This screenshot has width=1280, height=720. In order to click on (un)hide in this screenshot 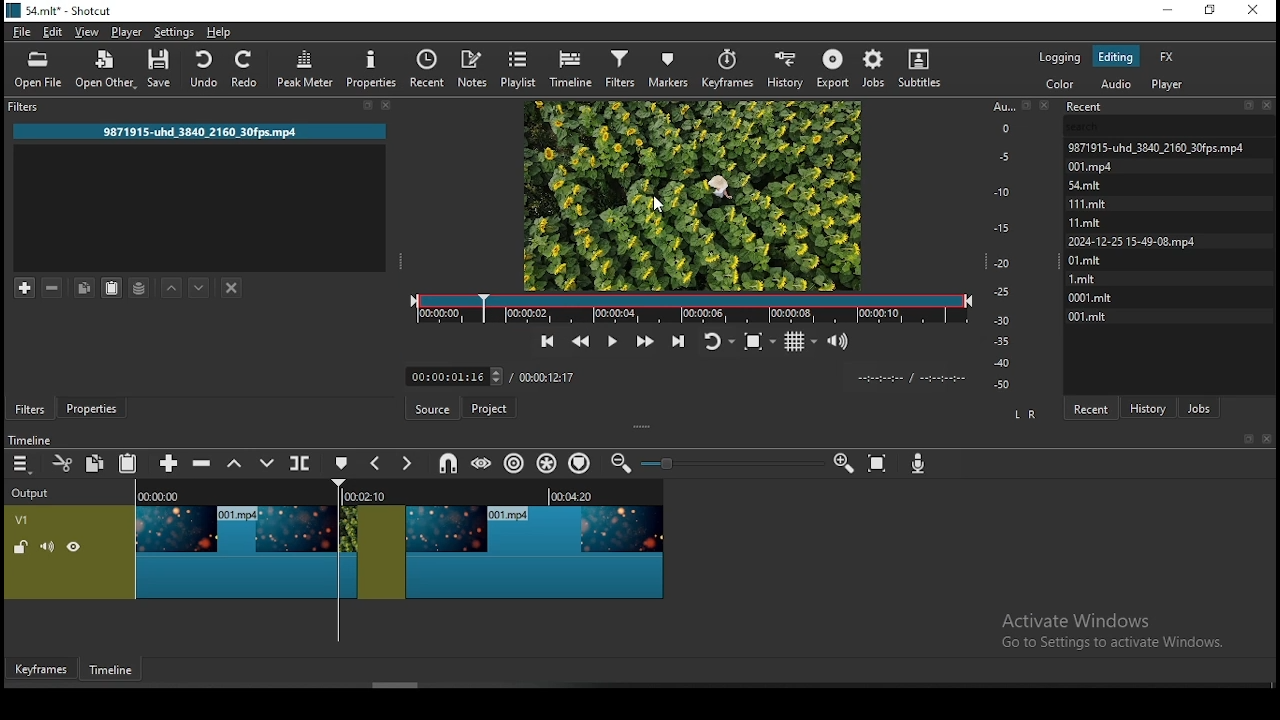, I will do `click(75, 547)`.